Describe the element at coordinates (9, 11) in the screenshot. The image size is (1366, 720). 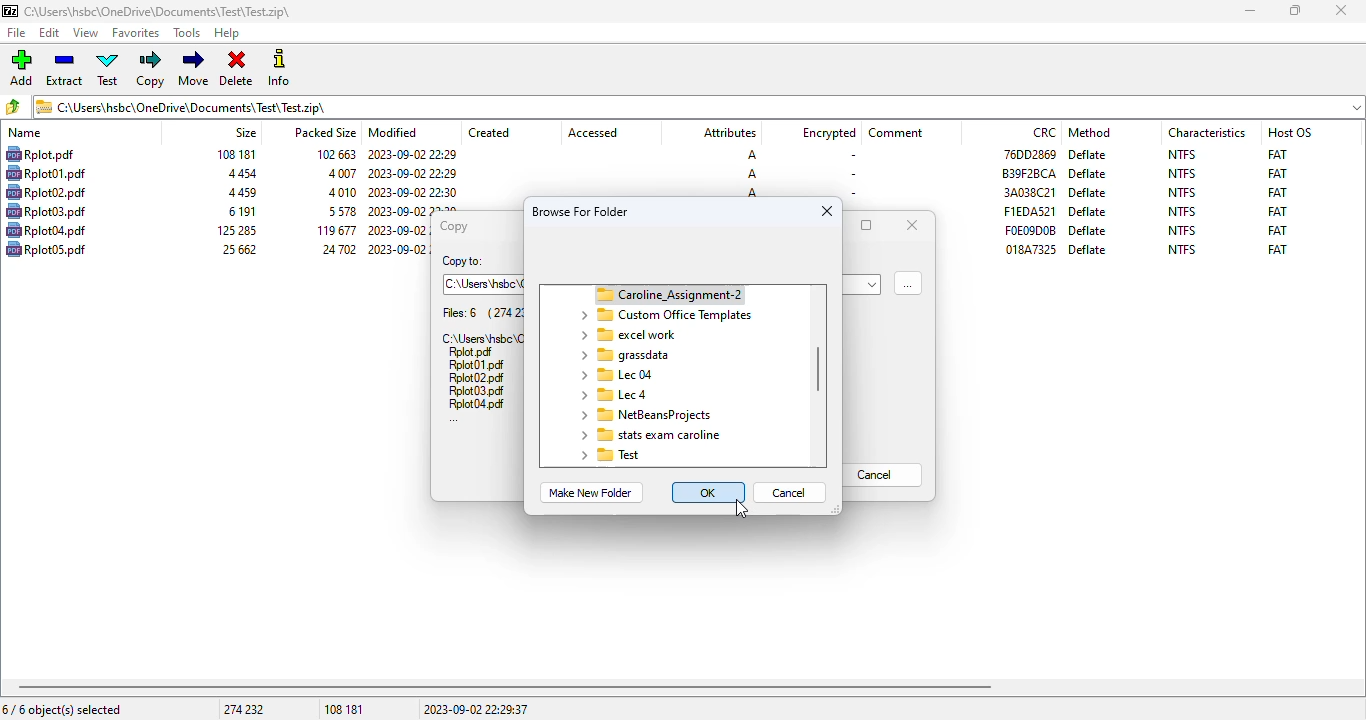
I see `logo` at that location.